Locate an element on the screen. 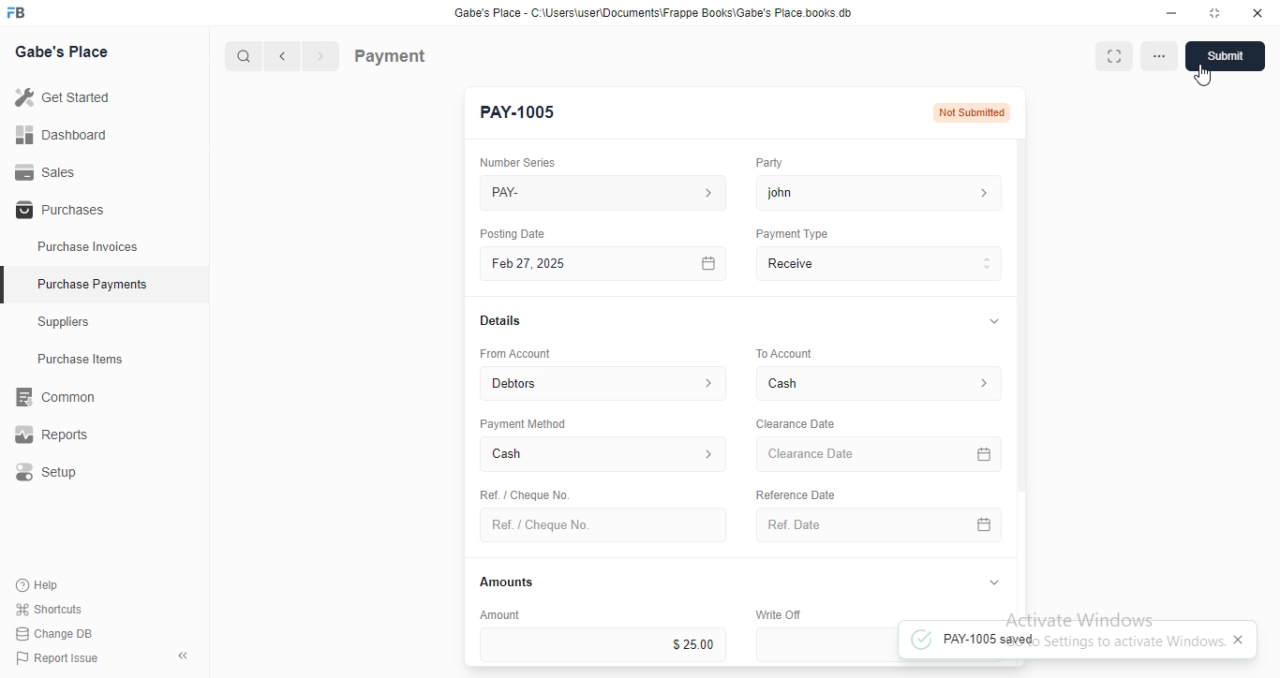  Rit
Common is located at coordinates (55, 398).